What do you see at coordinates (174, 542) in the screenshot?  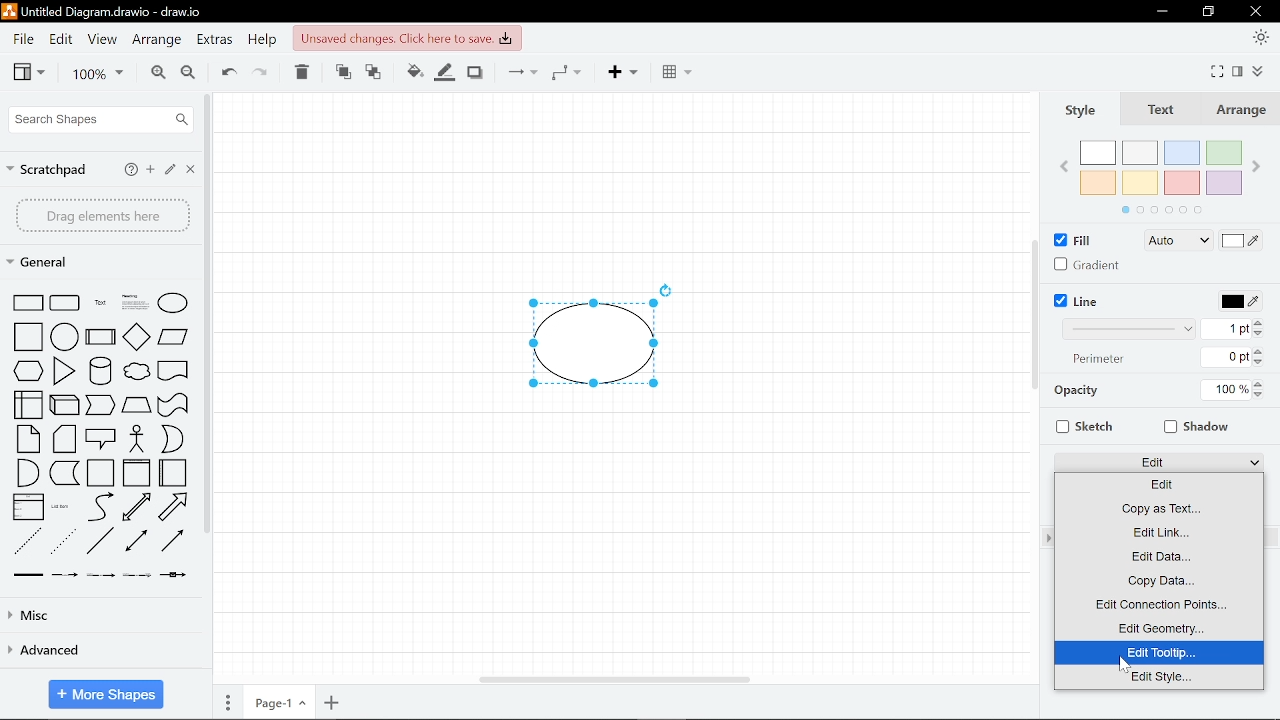 I see `connector` at bounding box center [174, 542].